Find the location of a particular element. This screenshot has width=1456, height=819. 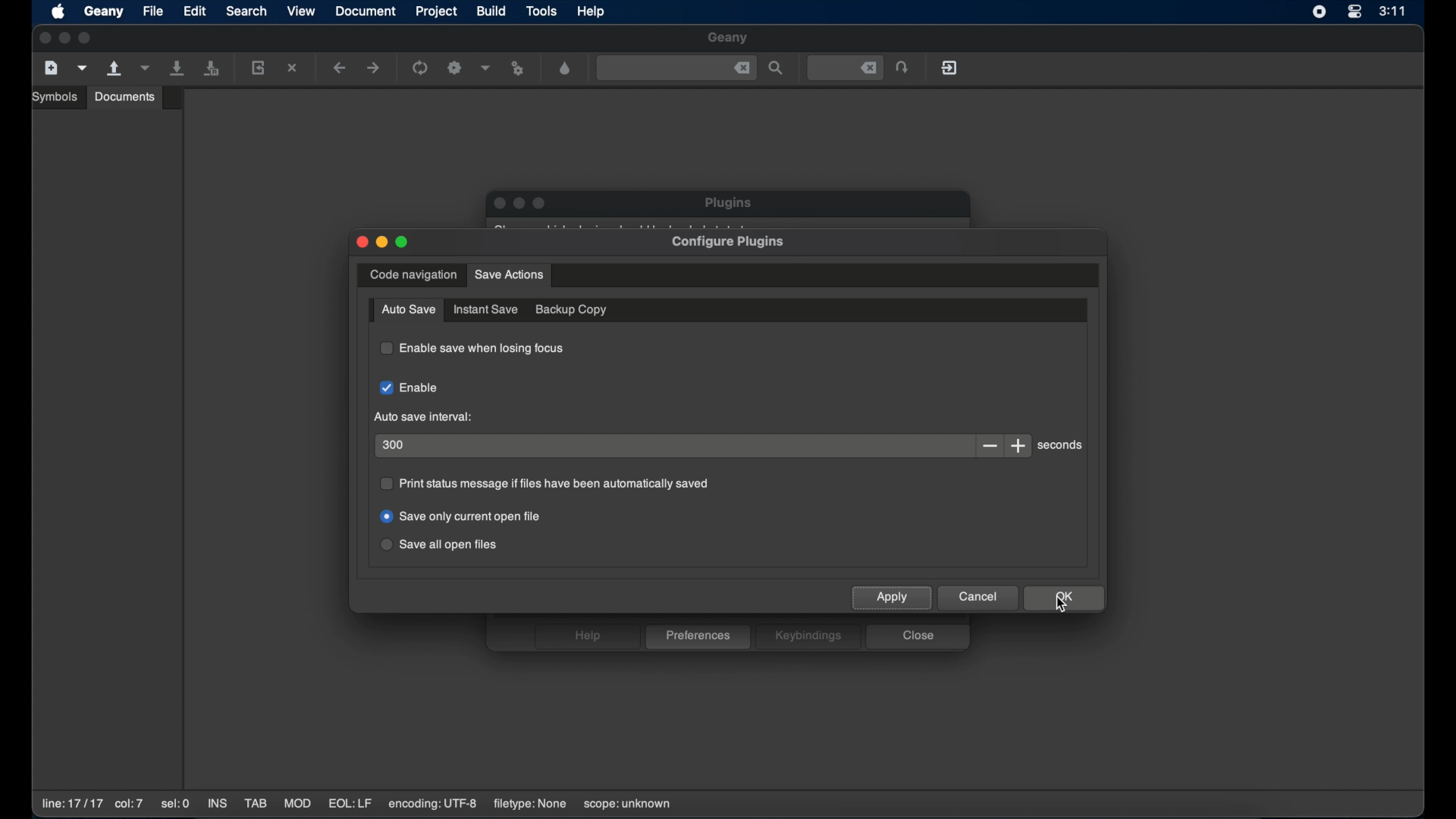

close is located at coordinates (43, 39).